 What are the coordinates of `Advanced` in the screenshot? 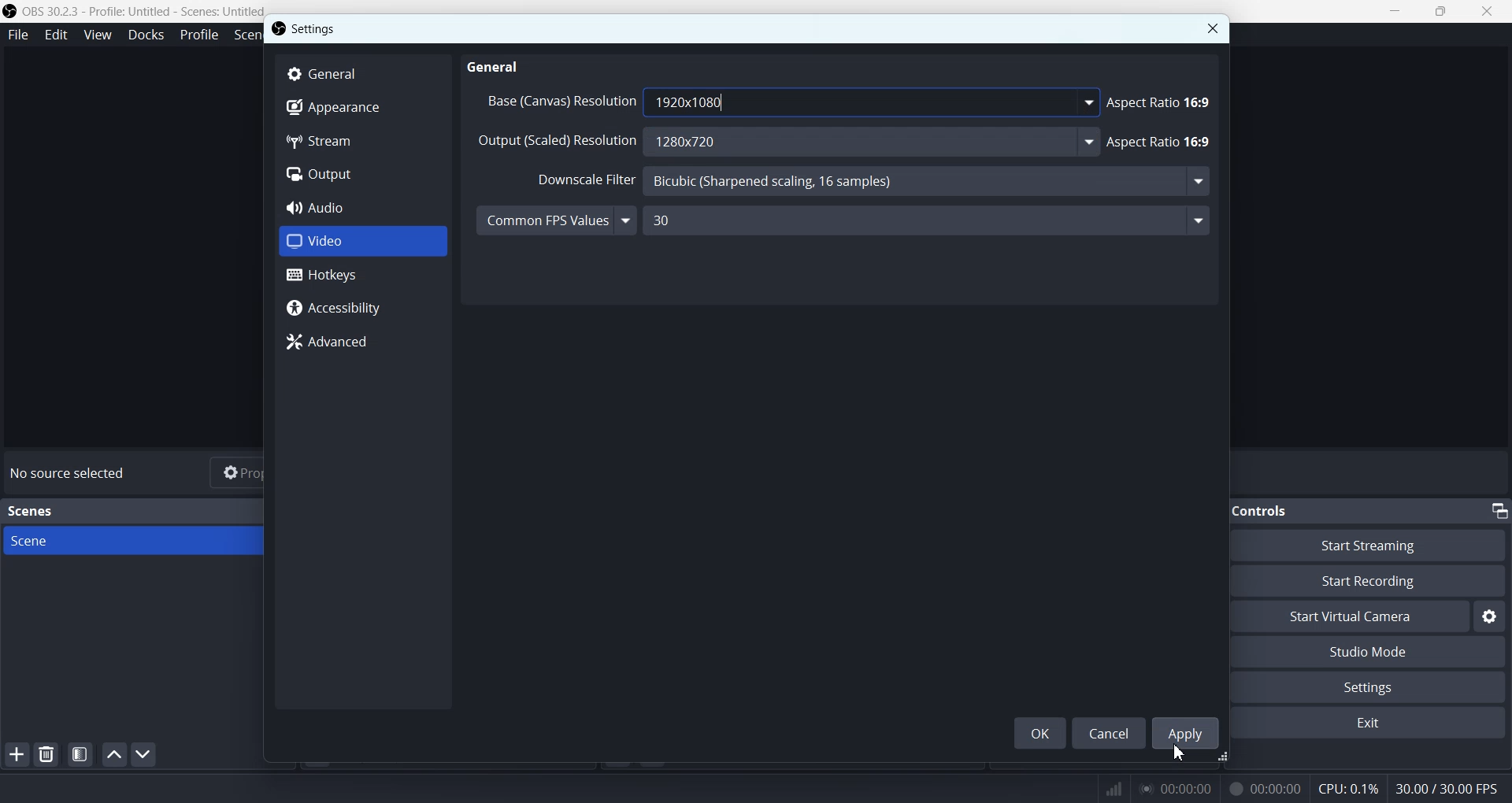 It's located at (363, 342).